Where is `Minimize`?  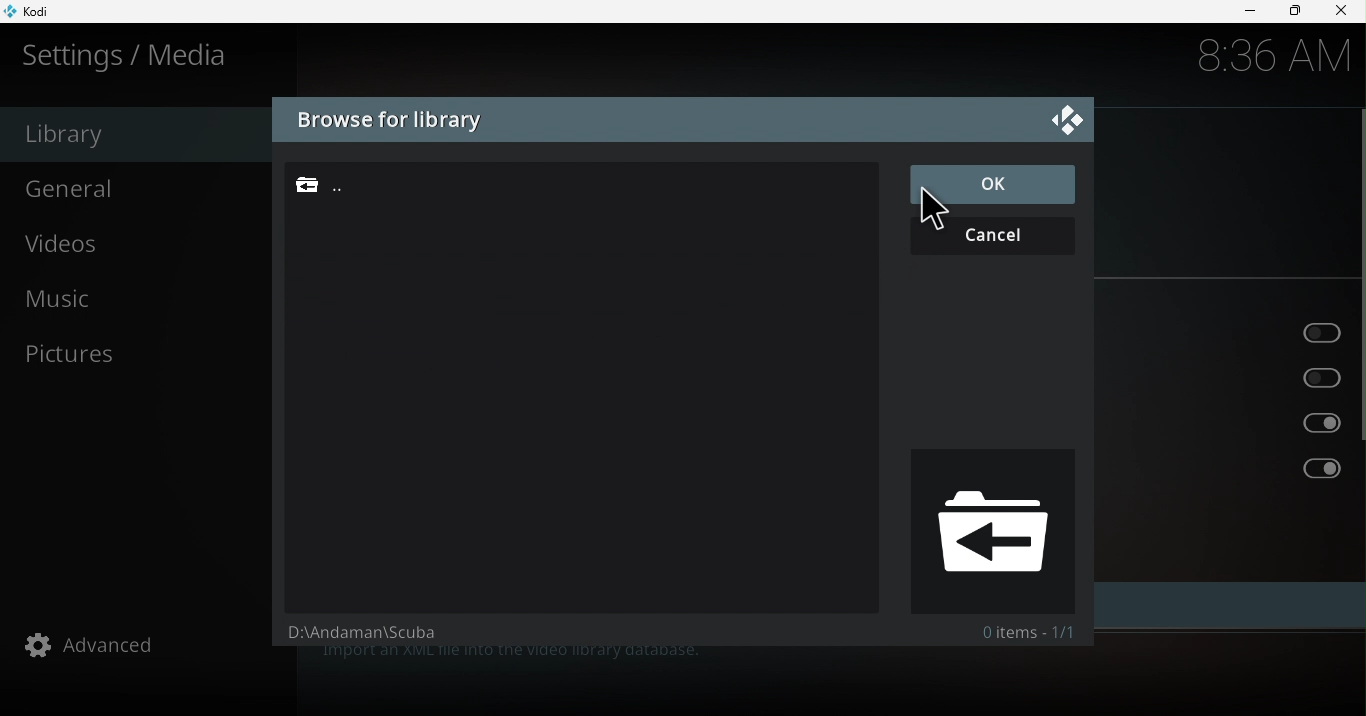 Minimize is located at coordinates (1242, 12).